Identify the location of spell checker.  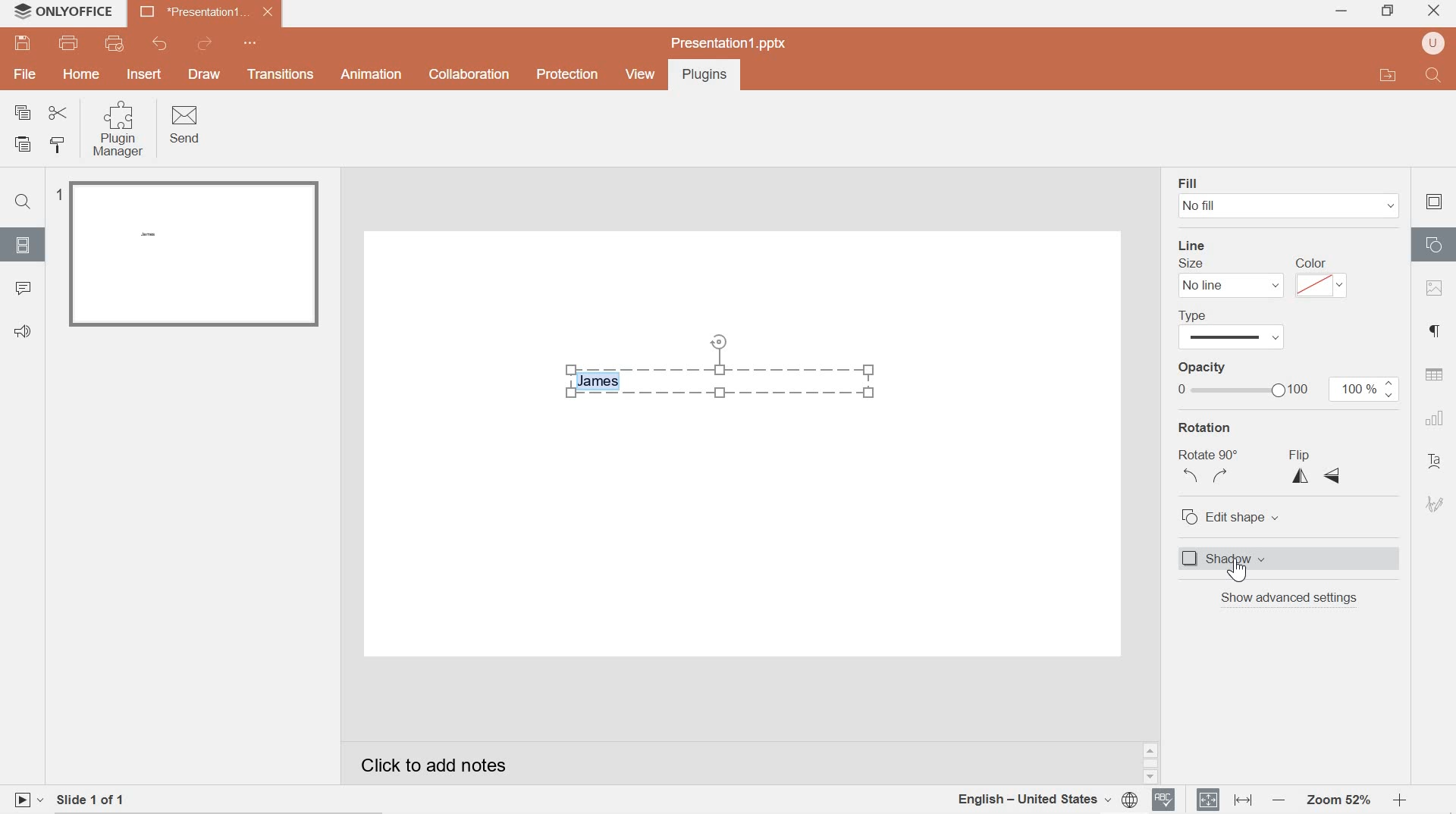
(1165, 800).